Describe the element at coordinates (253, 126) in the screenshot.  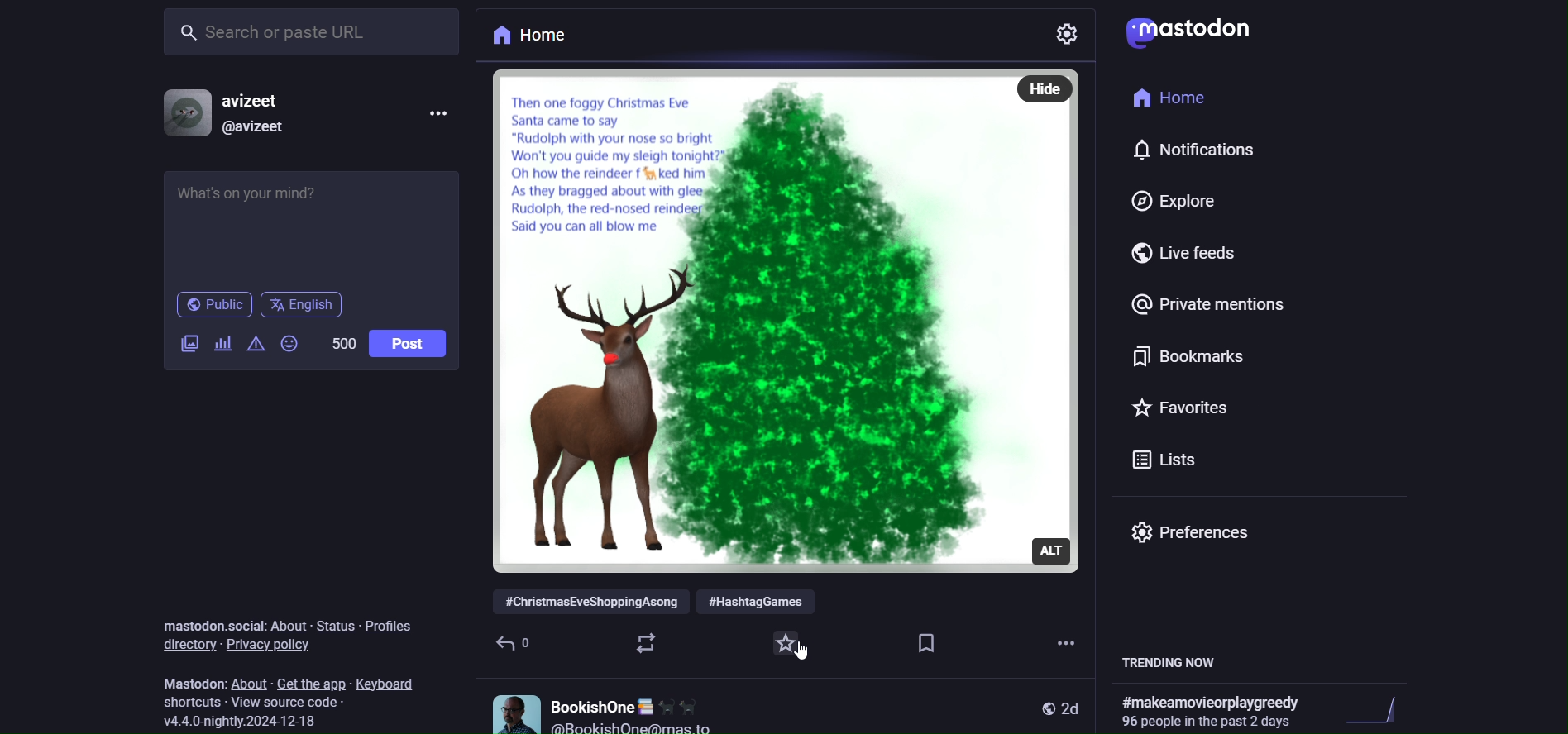
I see `@avizeet` at that location.